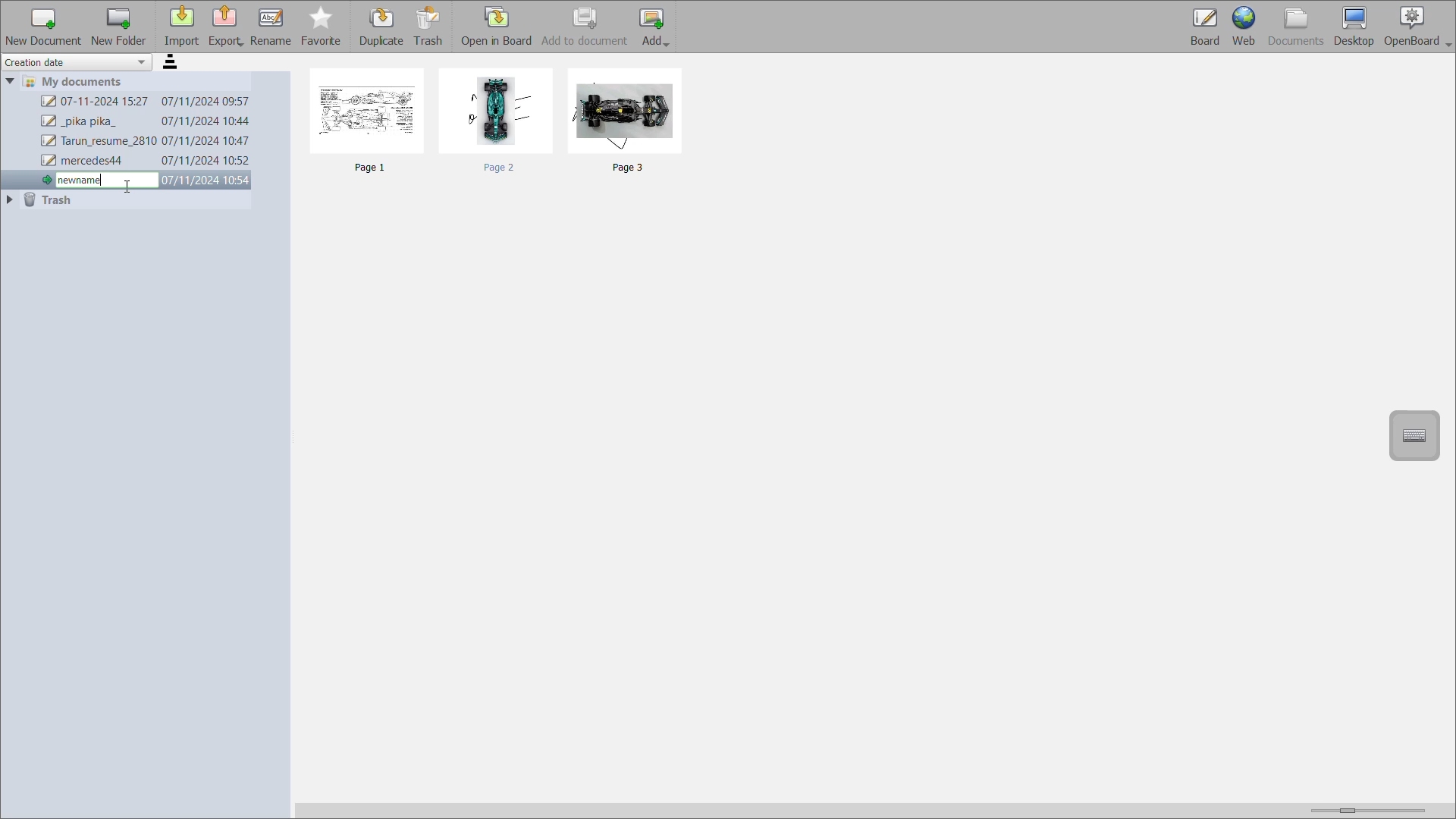 This screenshot has width=1456, height=819. I want to click on export, so click(227, 25).